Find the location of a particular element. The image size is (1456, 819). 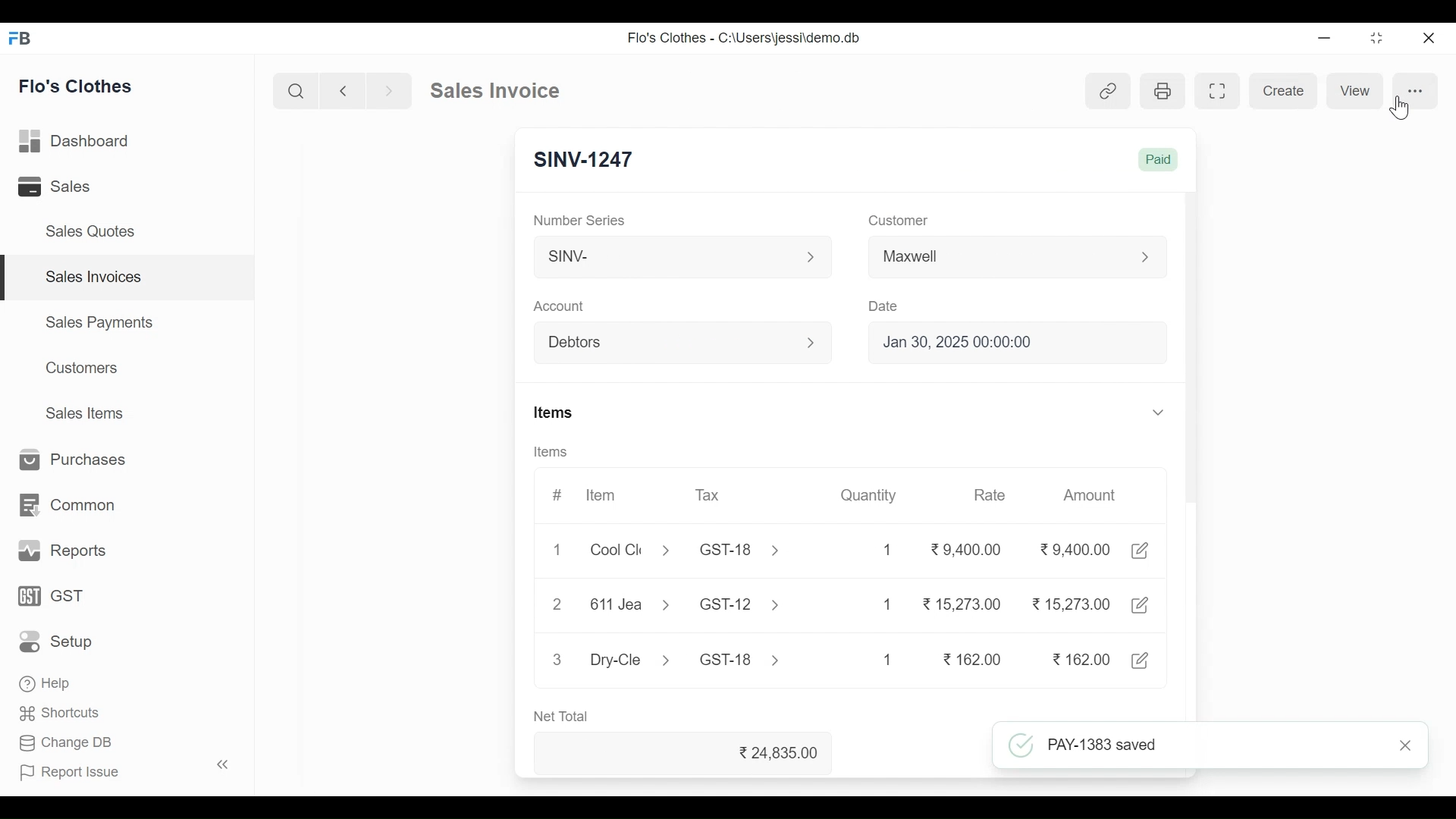

Item is located at coordinates (602, 496).